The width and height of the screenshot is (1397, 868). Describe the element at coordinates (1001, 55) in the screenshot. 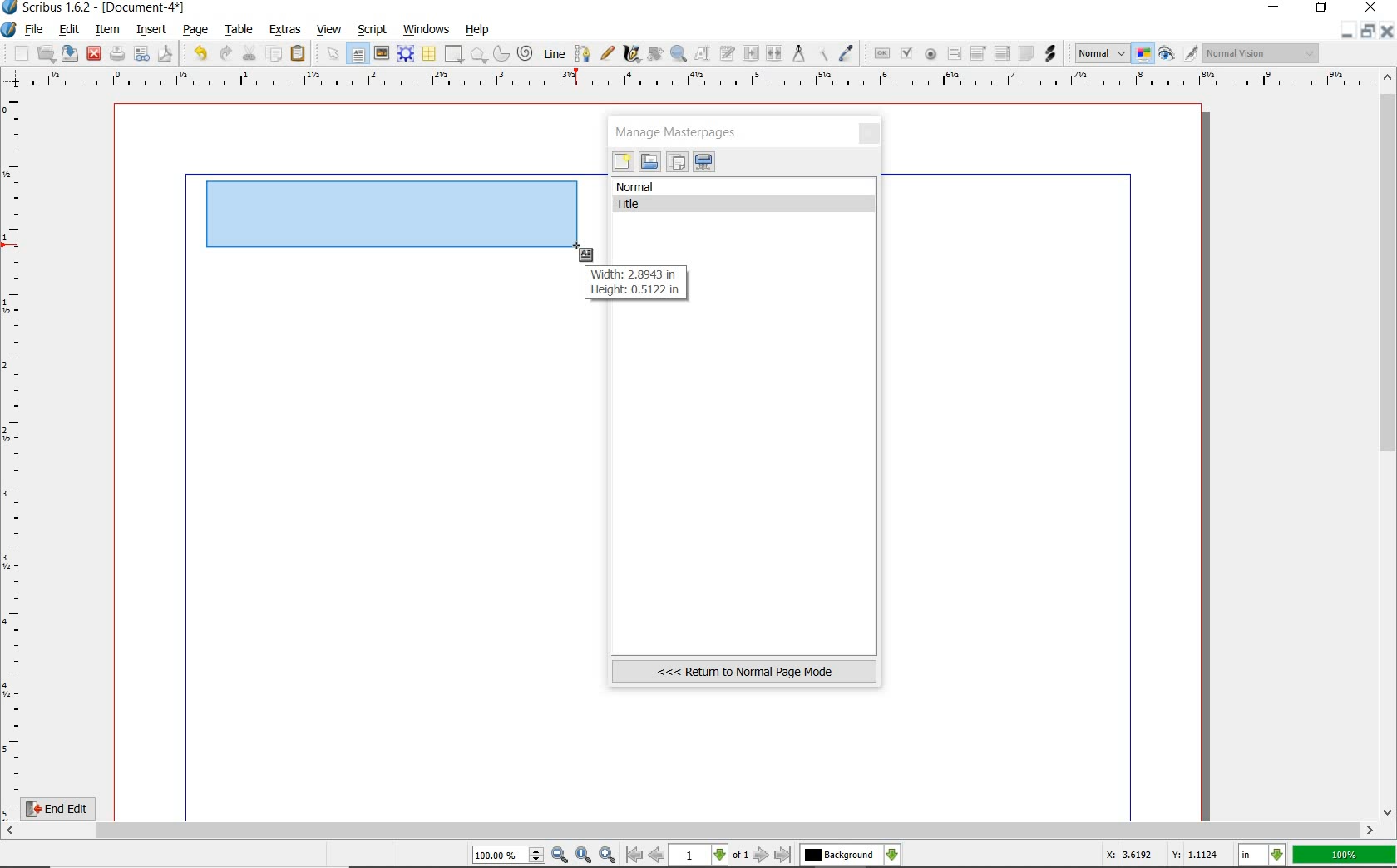

I see `pdf list box` at that location.